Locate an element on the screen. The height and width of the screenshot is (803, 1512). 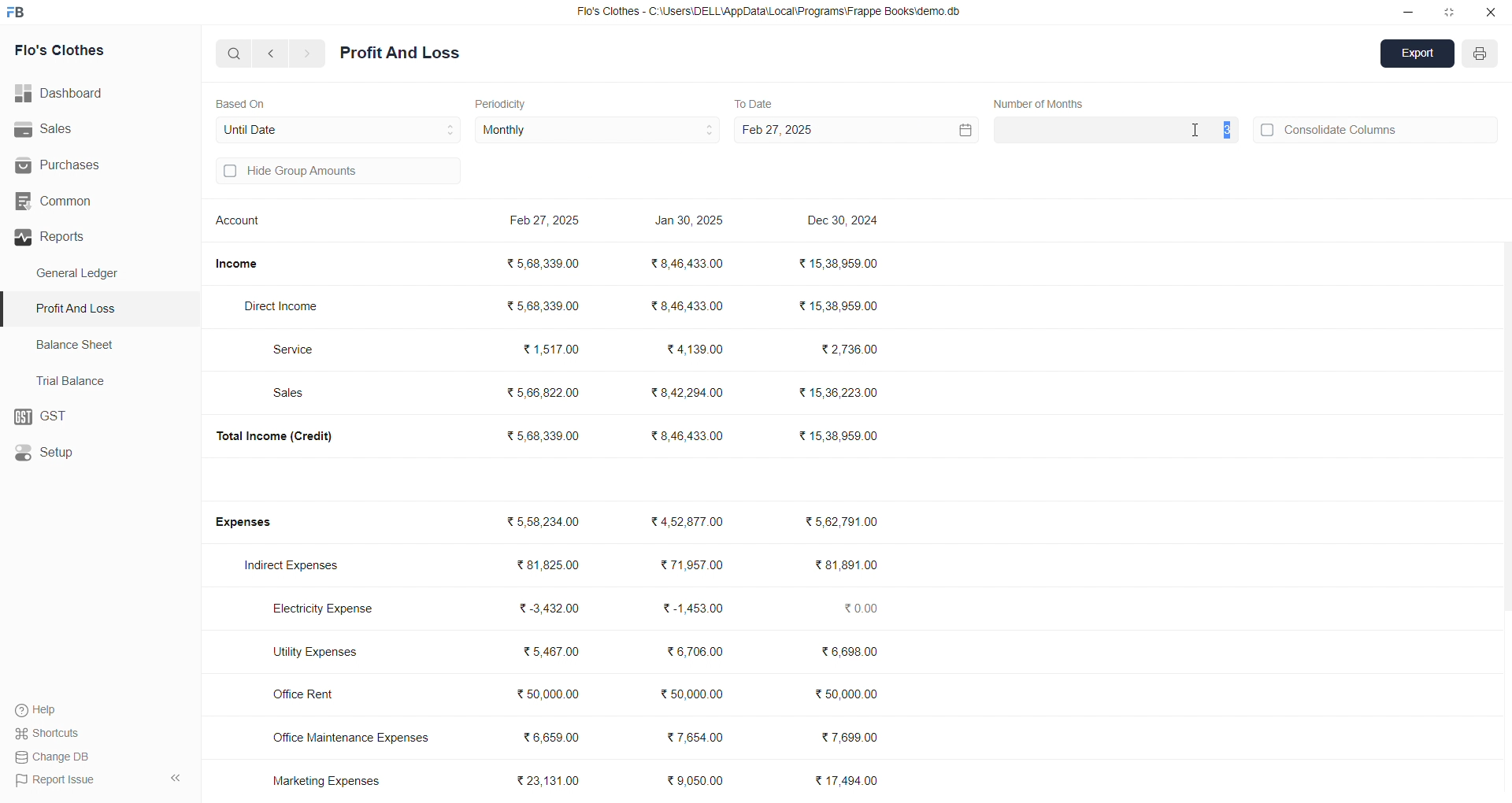
Periodicity is located at coordinates (504, 102).